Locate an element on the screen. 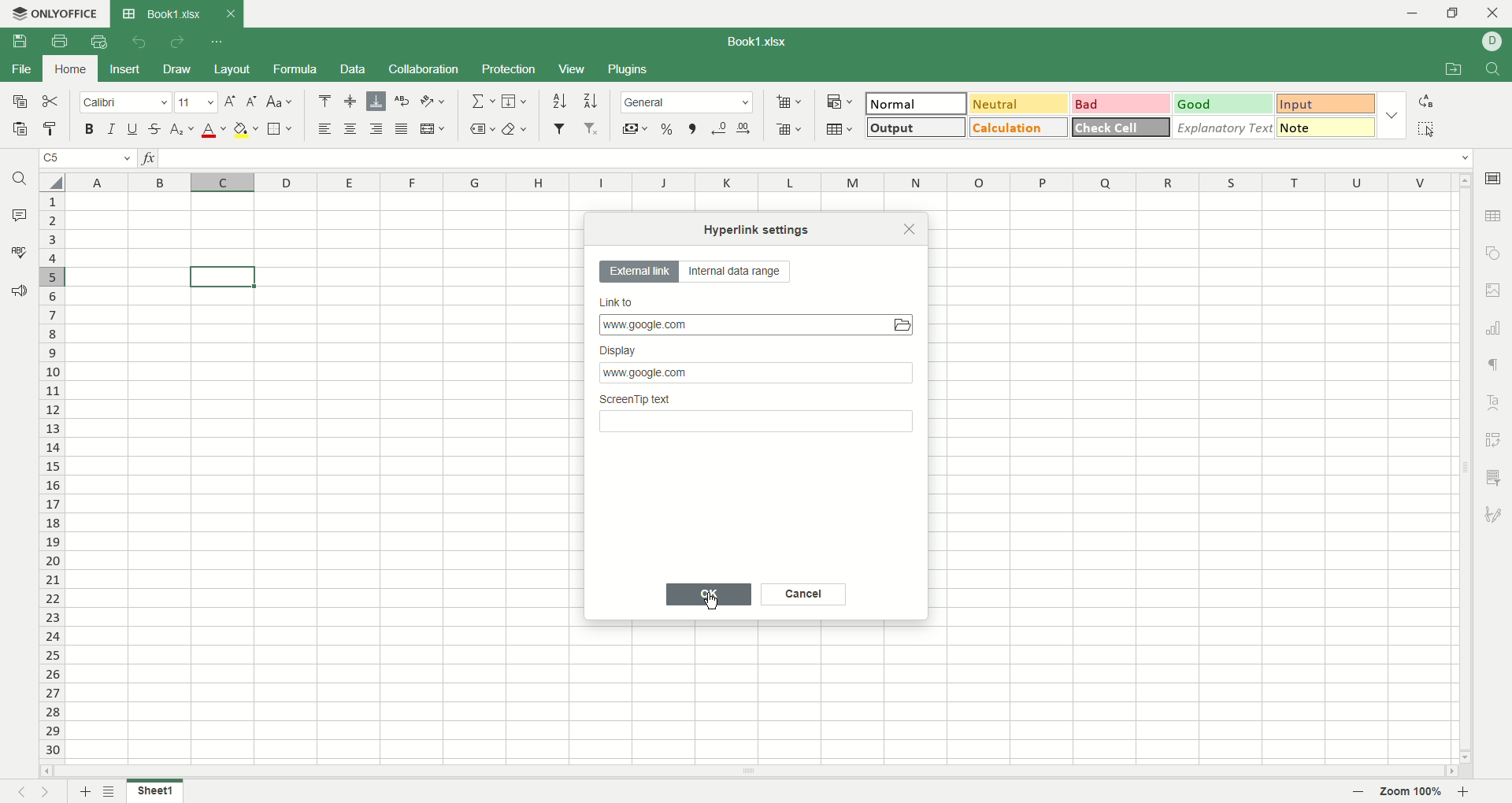 The width and height of the screenshot is (1512, 803). redo is located at coordinates (176, 43).